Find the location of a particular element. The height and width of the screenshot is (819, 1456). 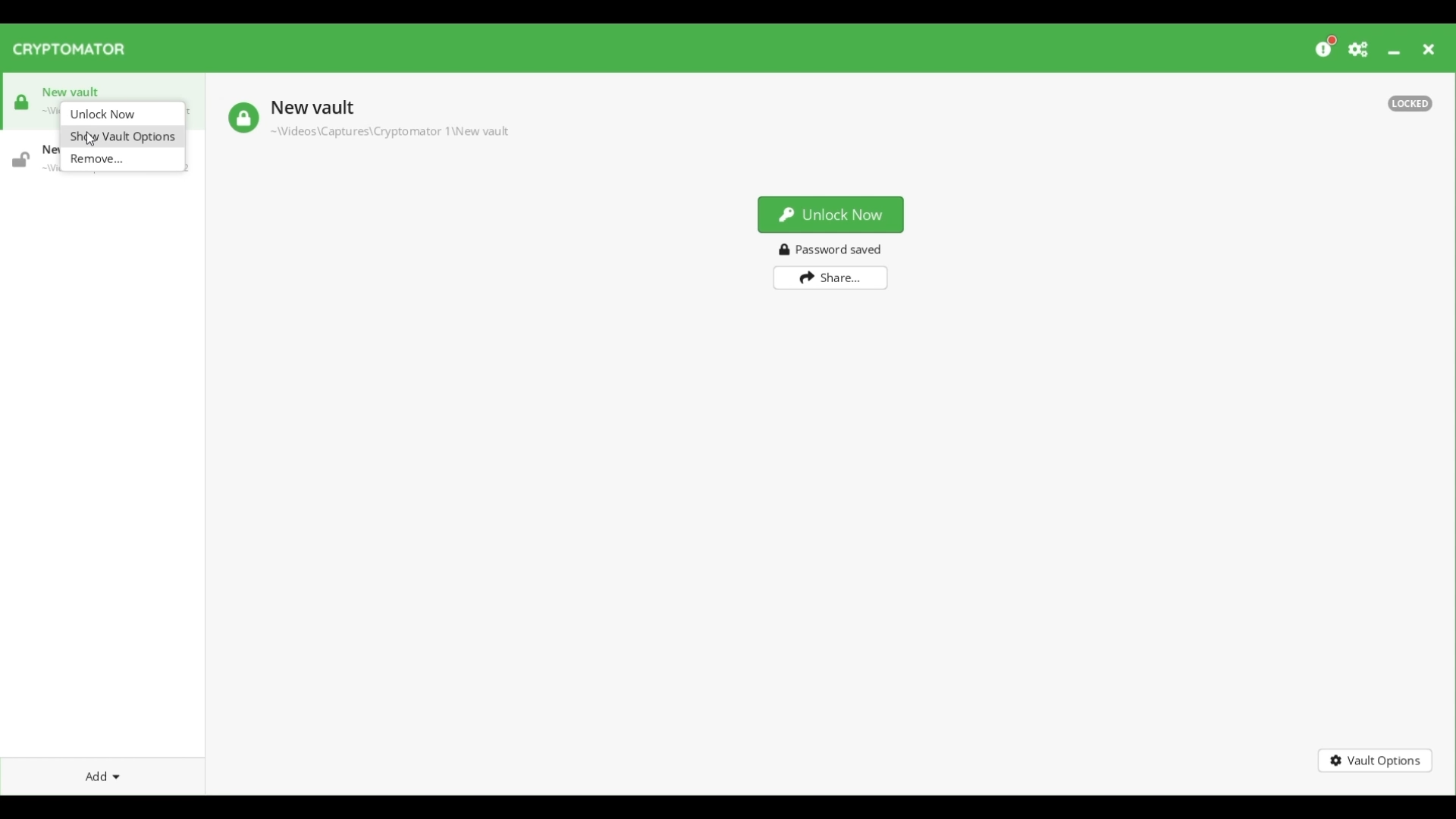

Status of selected vault is located at coordinates (243, 118).